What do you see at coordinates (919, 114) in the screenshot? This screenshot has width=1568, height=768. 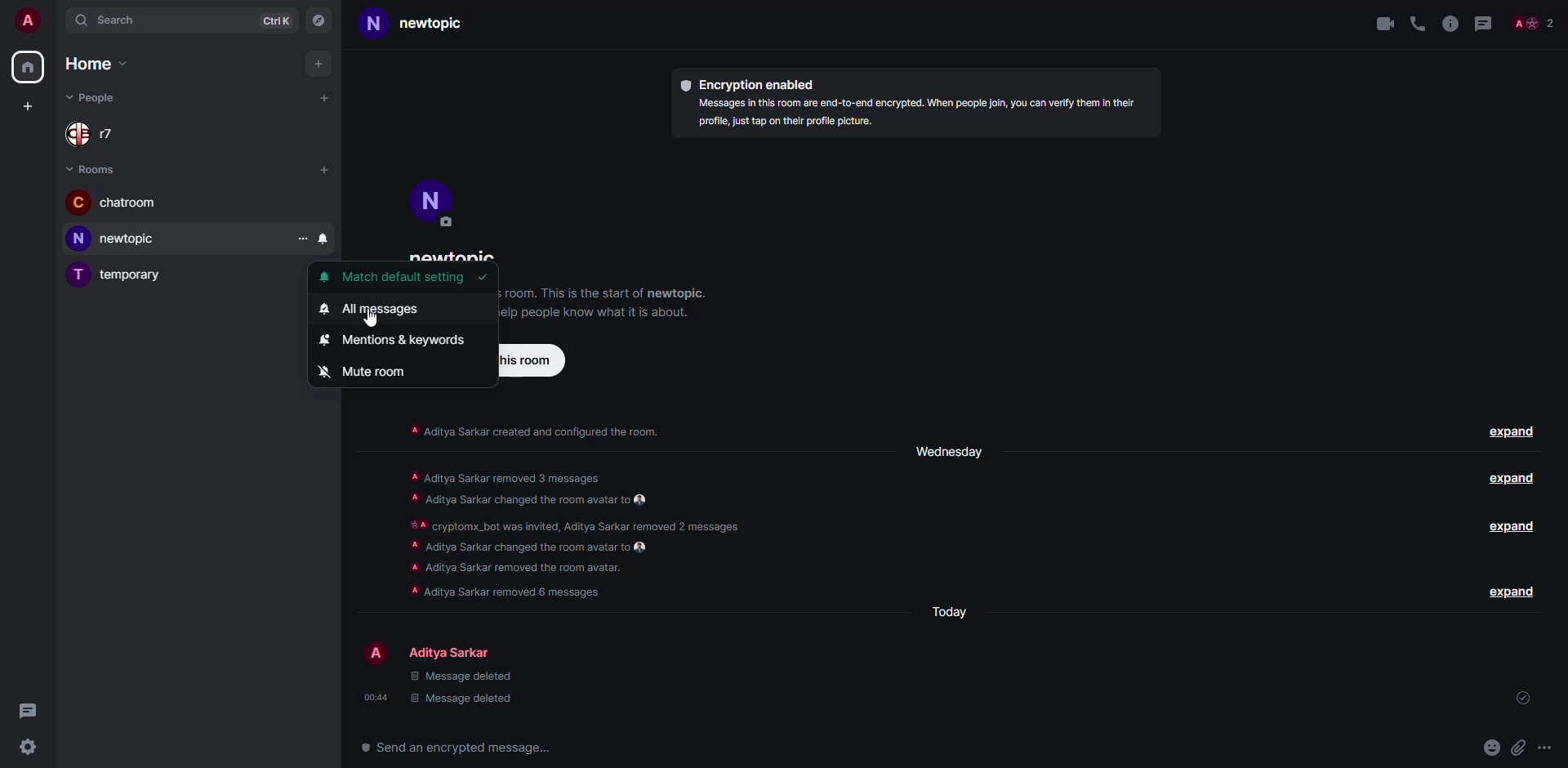 I see `info` at bounding box center [919, 114].